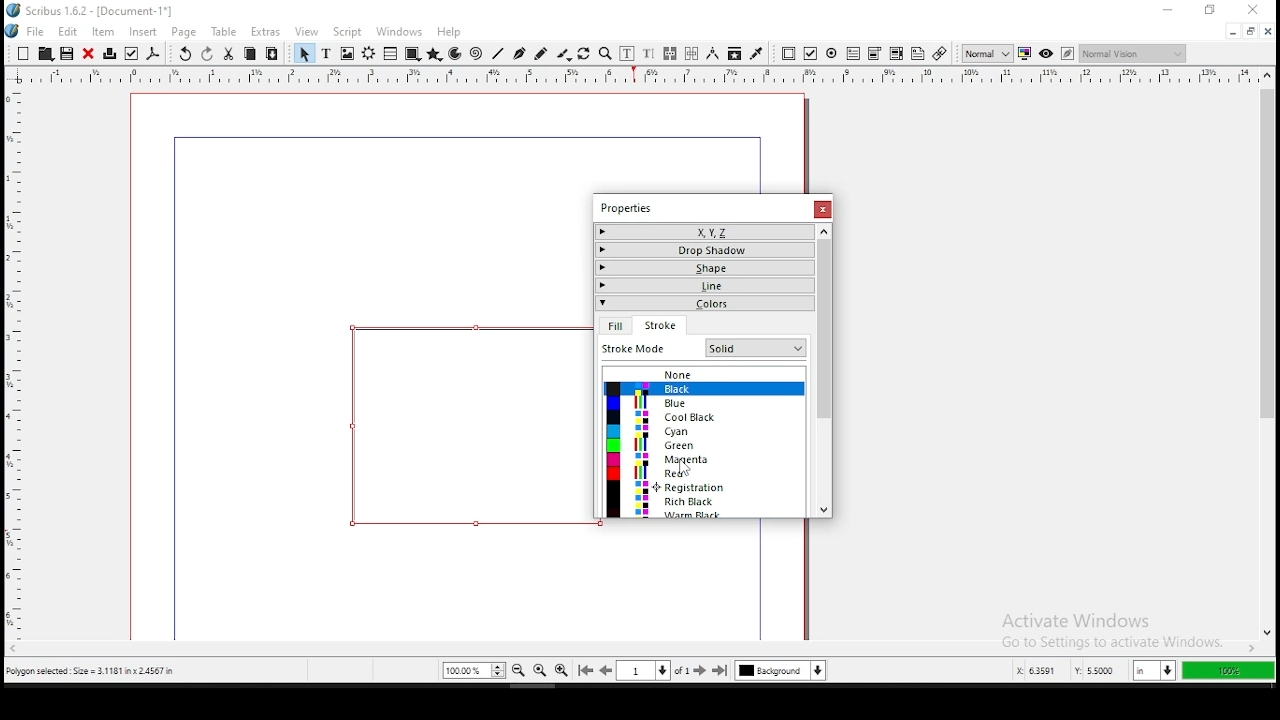 This screenshot has height=720, width=1280. What do you see at coordinates (225, 32) in the screenshot?
I see `table` at bounding box center [225, 32].